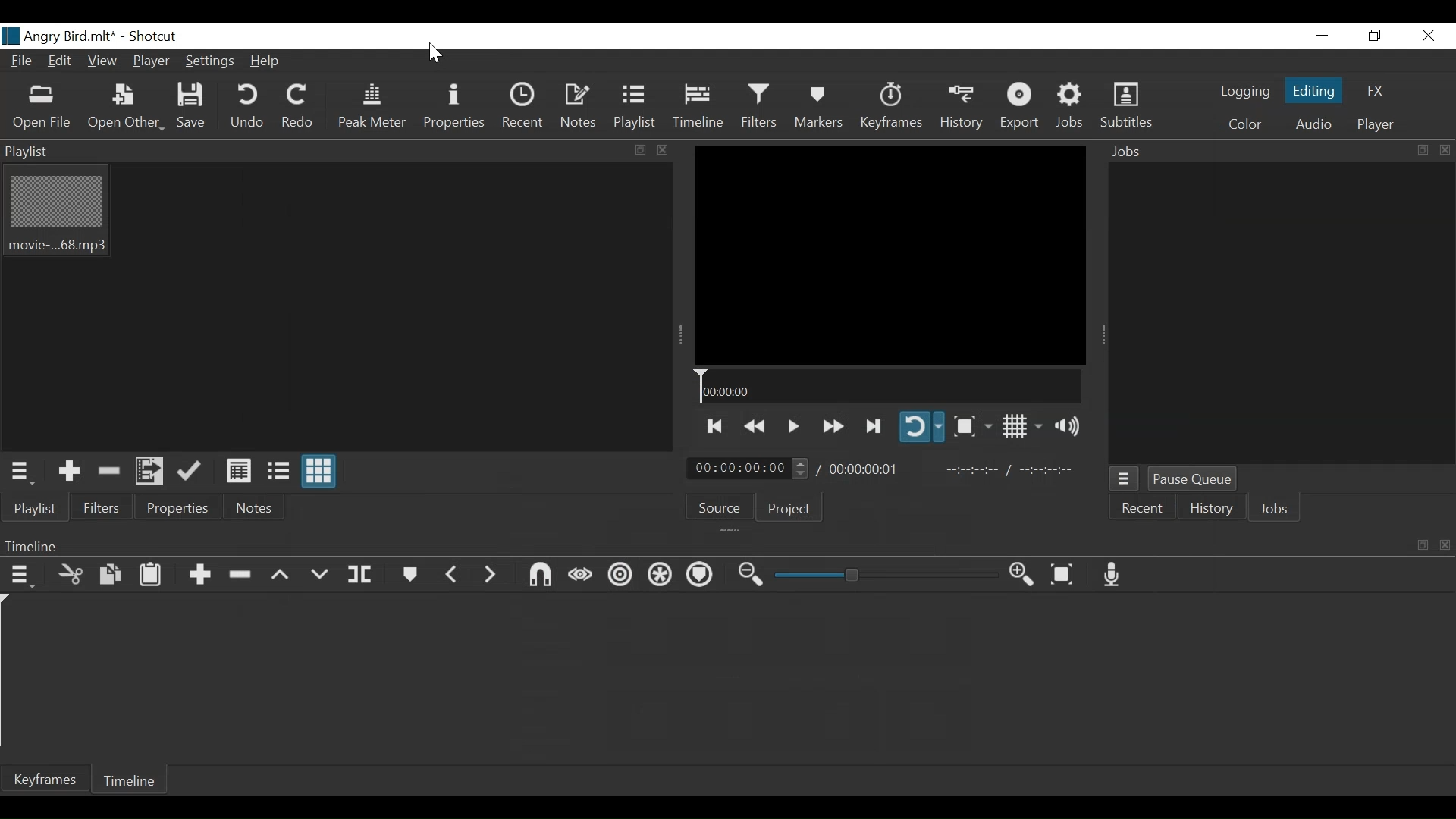 The width and height of the screenshot is (1456, 819). Describe the element at coordinates (1442, 544) in the screenshot. I see `close` at that location.